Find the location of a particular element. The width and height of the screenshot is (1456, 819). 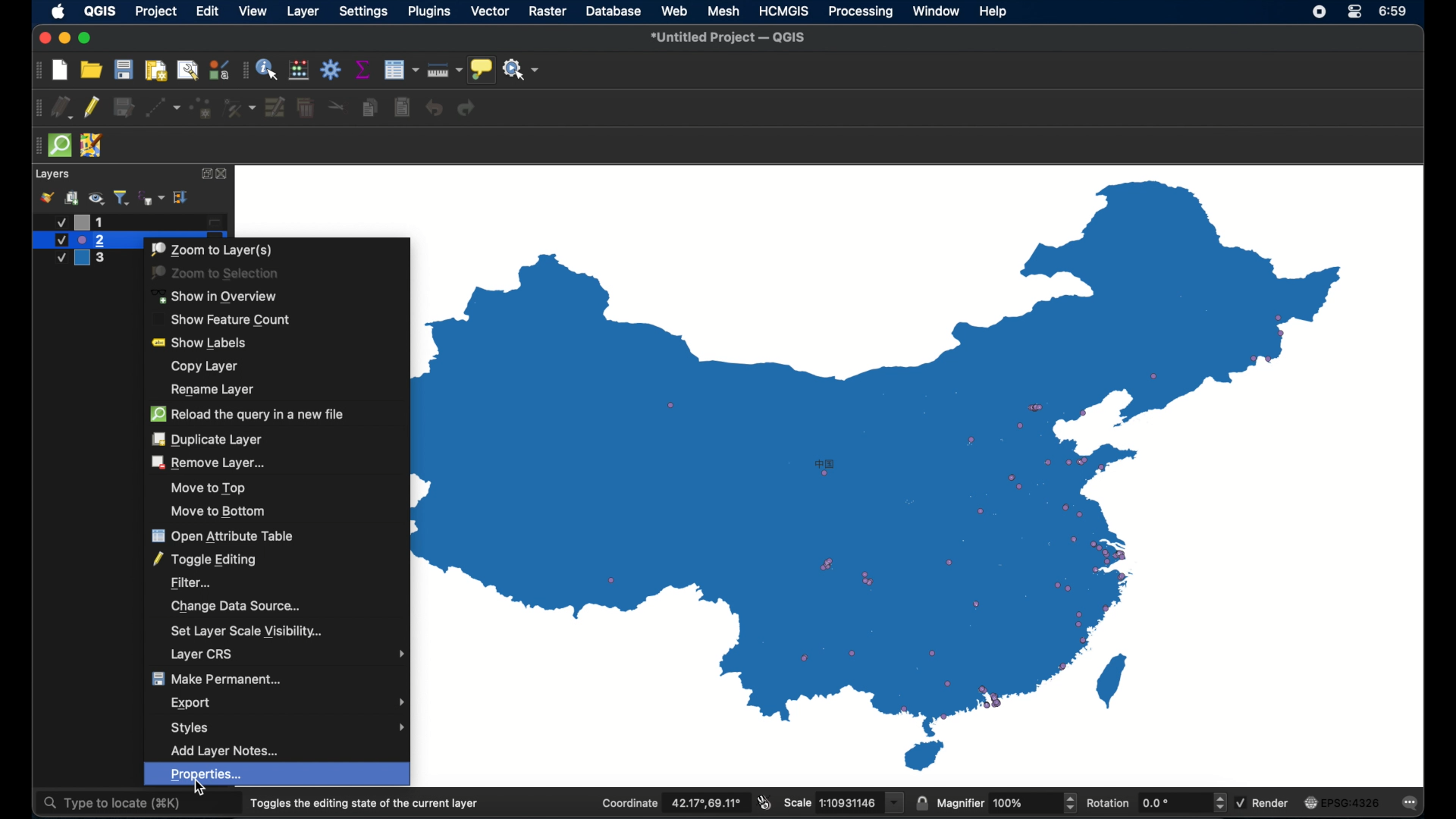

close is located at coordinates (224, 174).